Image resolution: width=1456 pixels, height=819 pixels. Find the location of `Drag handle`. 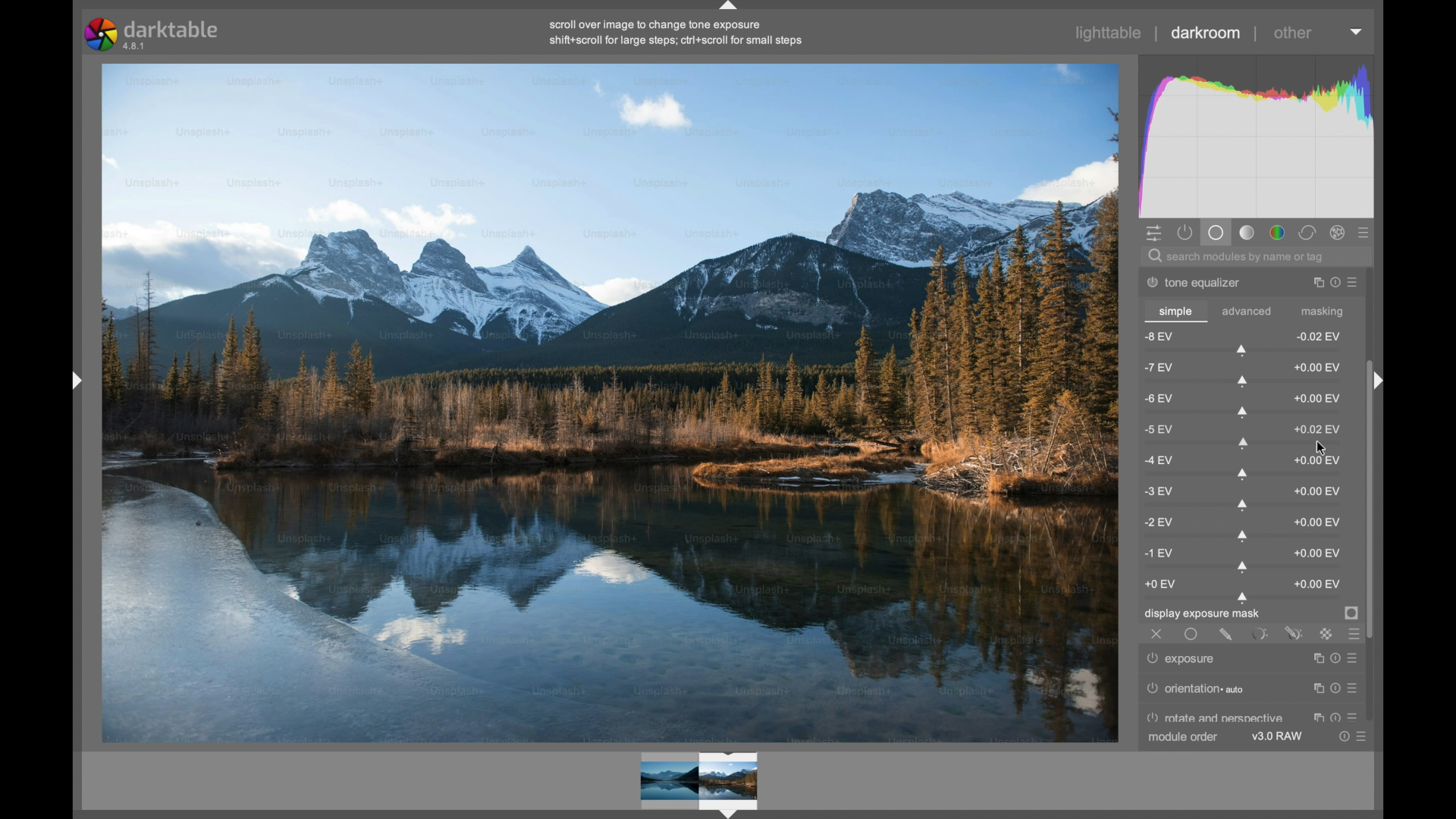

Drag handle is located at coordinates (78, 381).